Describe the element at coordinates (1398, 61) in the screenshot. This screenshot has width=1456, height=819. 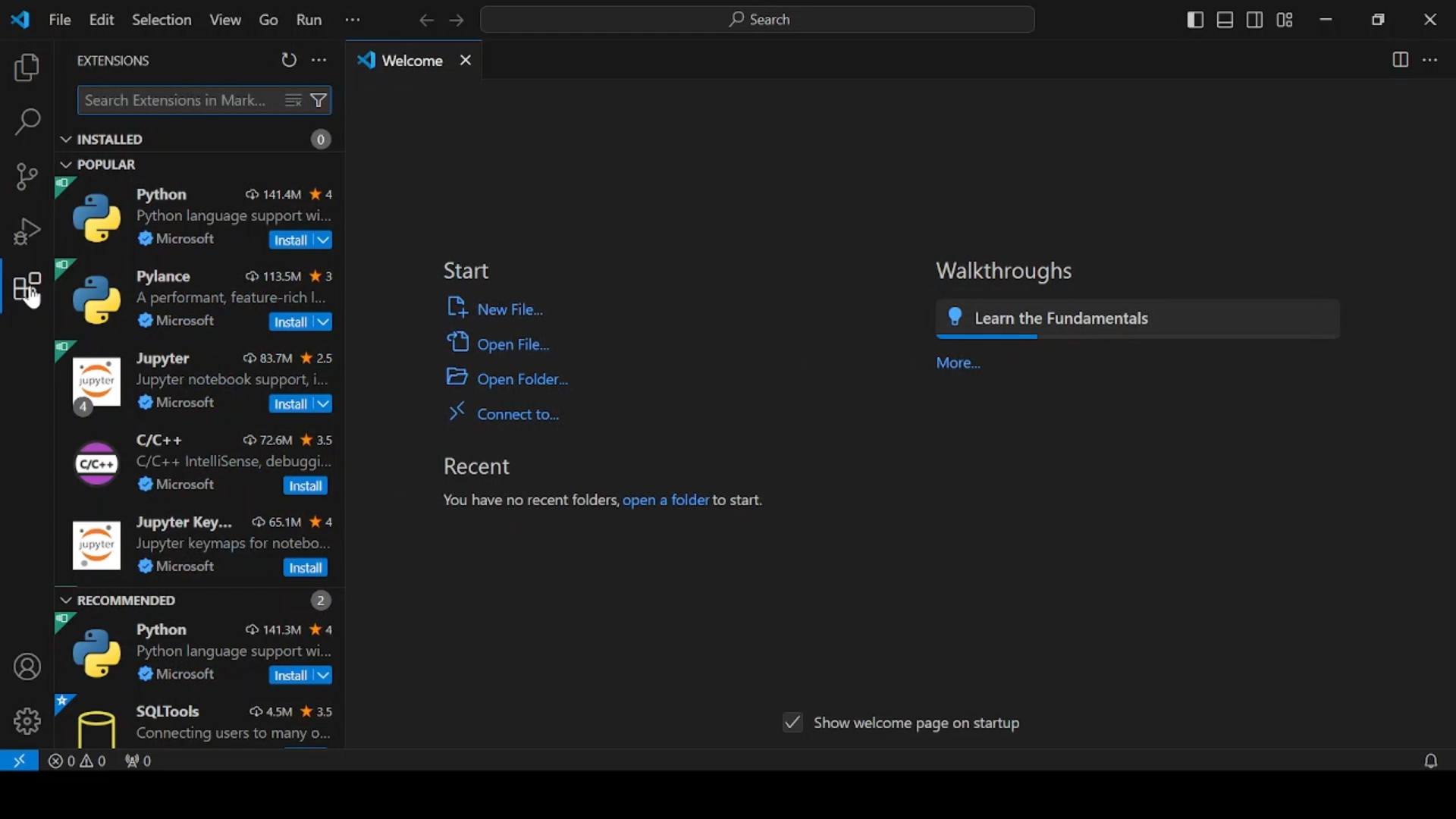
I see `split editor right split editor down` at that location.